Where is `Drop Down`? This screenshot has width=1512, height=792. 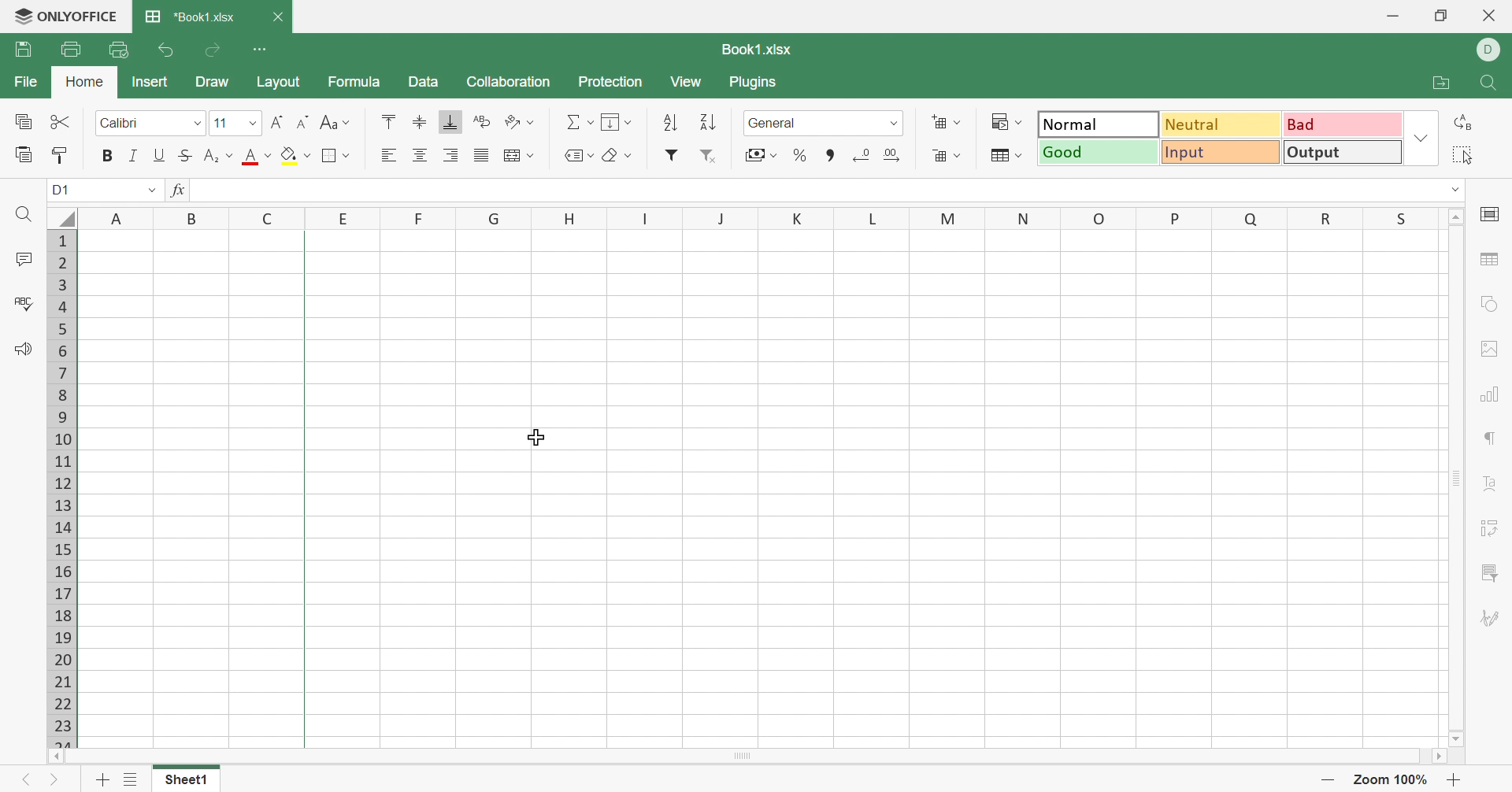
Drop Down is located at coordinates (589, 123).